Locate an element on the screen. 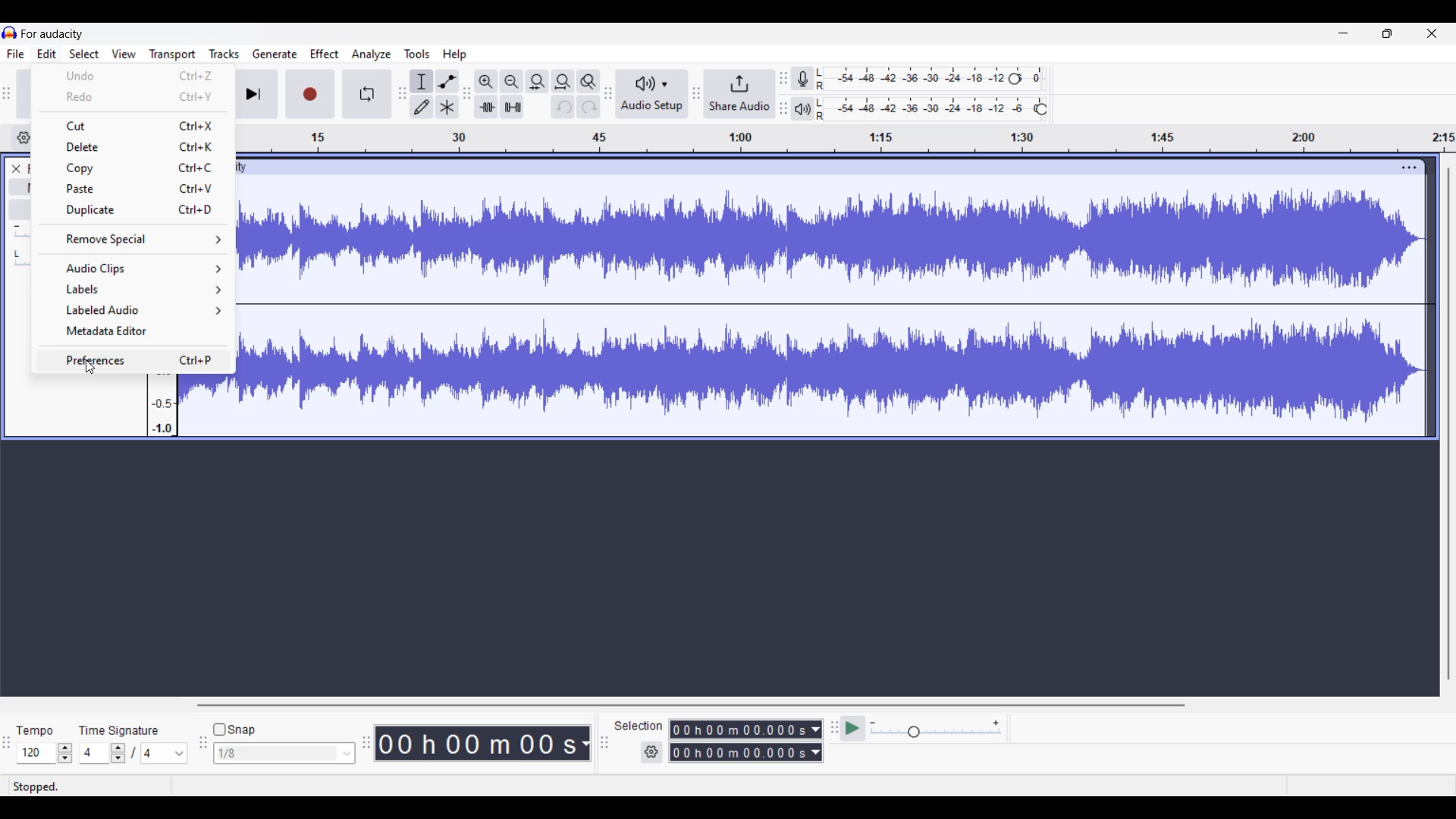 The image size is (1456, 819). Remove special options is located at coordinates (134, 238).